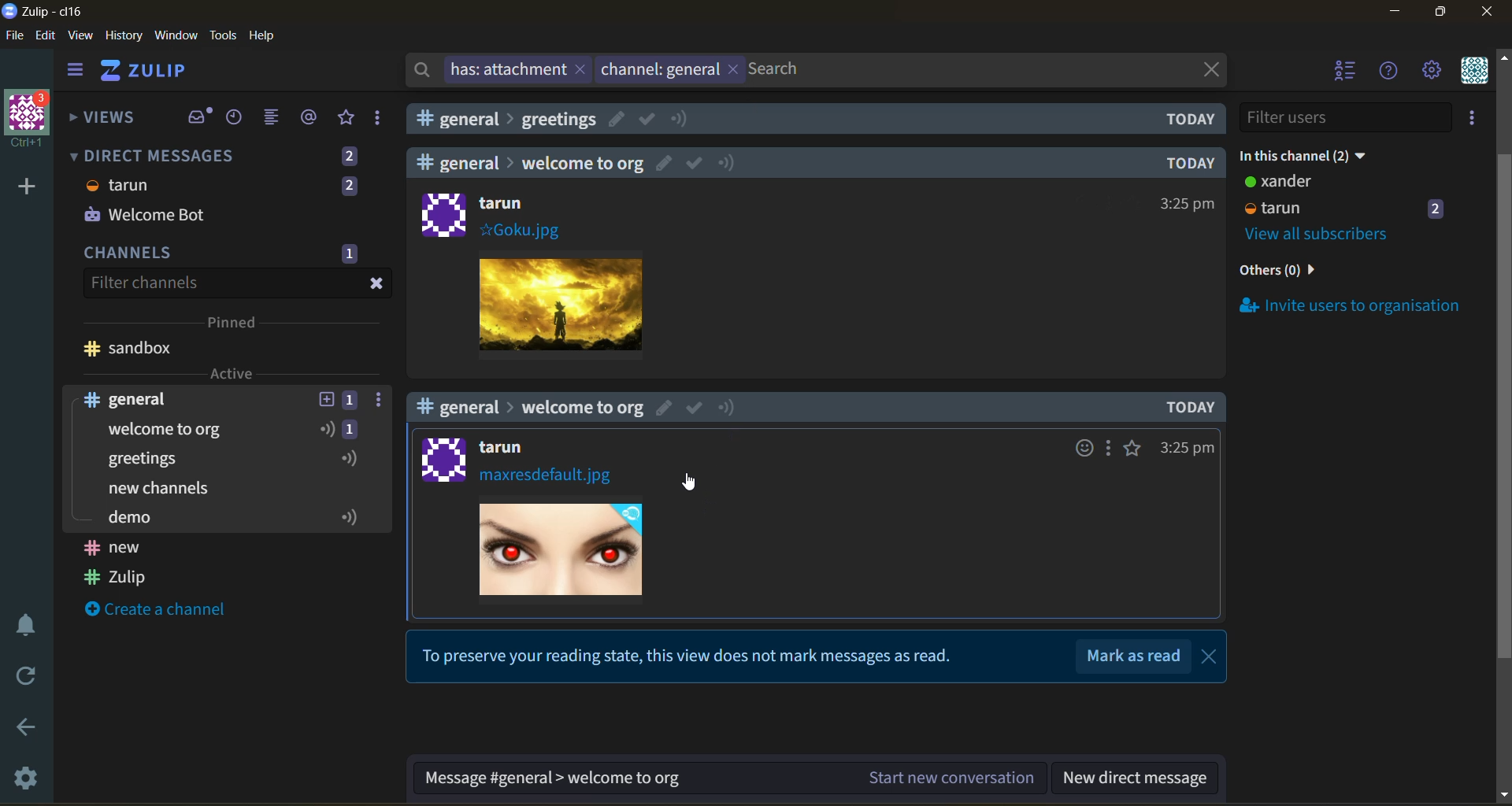 The image size is (1512, 806). What do you see at coordinates (1192, 120) in the screenshot?
I see `TODAY` at bounding box center [1192, 120].